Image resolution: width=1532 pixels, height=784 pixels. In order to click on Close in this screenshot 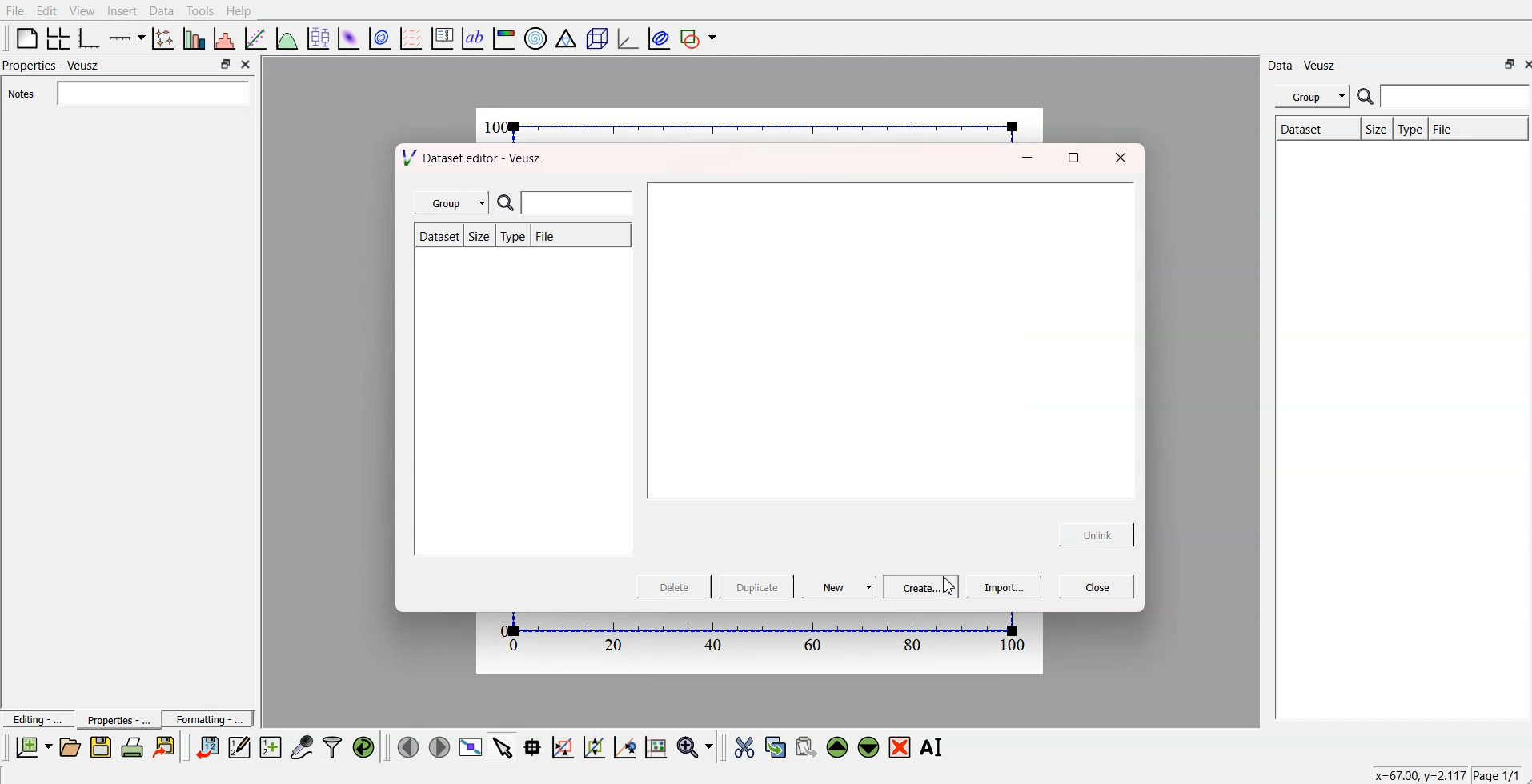, I will do `click(1120, 159)`.